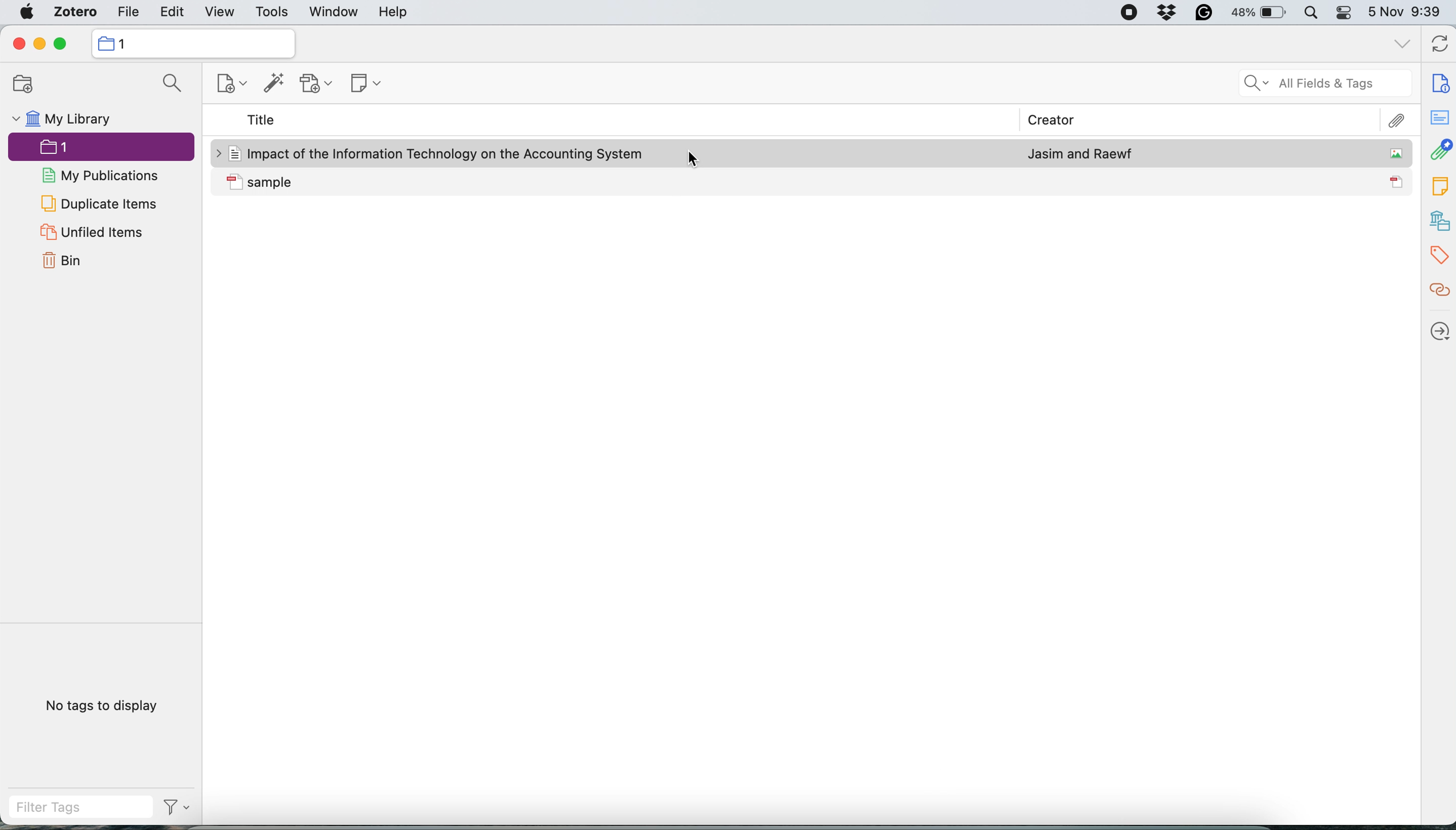 Image resolution: width=1456 pixels, height=830 pixels. What do you see at coordinates (38, 44) in the screenshot?
I see `minimise` at bounding box center [38, 44].